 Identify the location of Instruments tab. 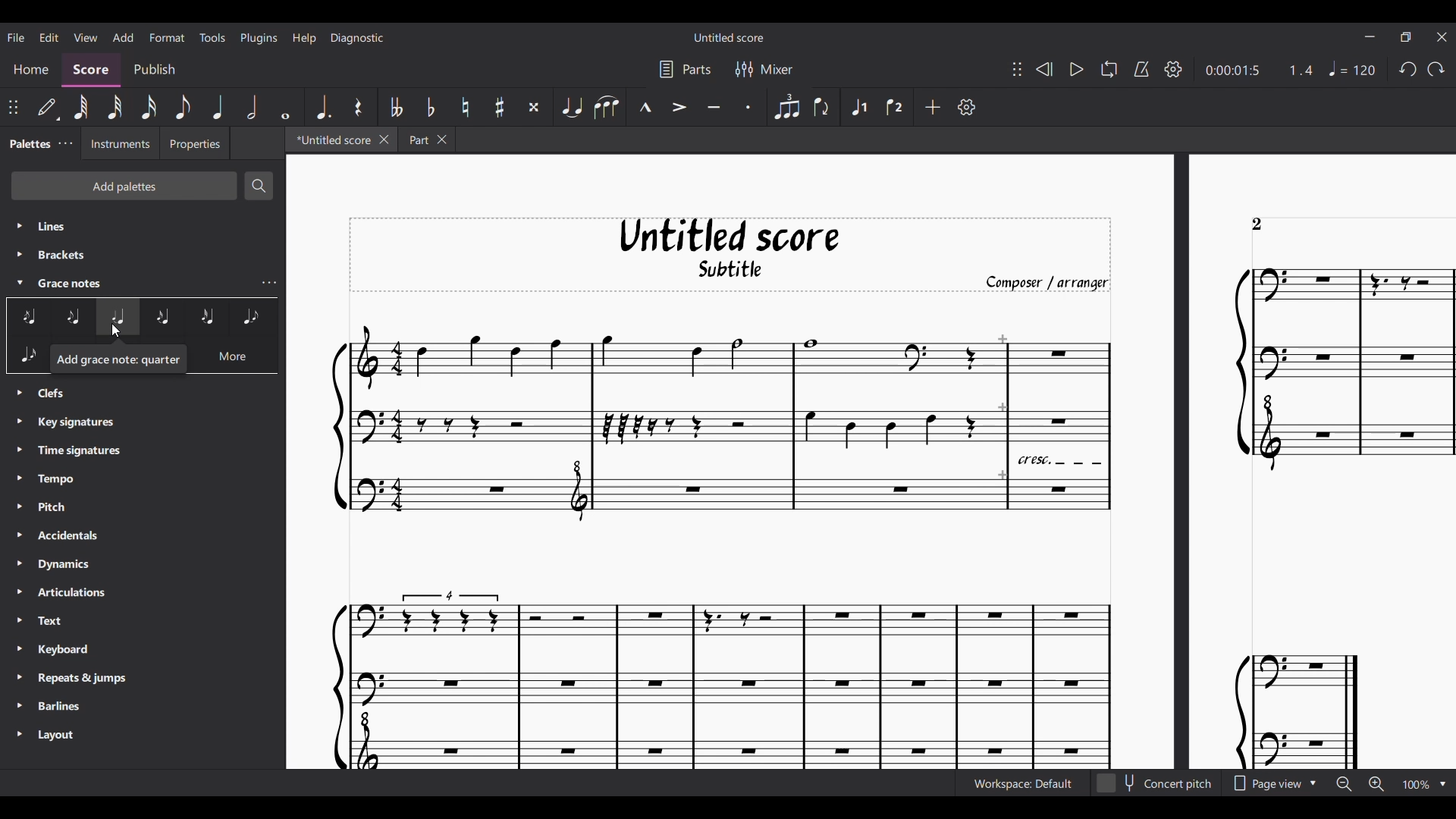
(120, 143).